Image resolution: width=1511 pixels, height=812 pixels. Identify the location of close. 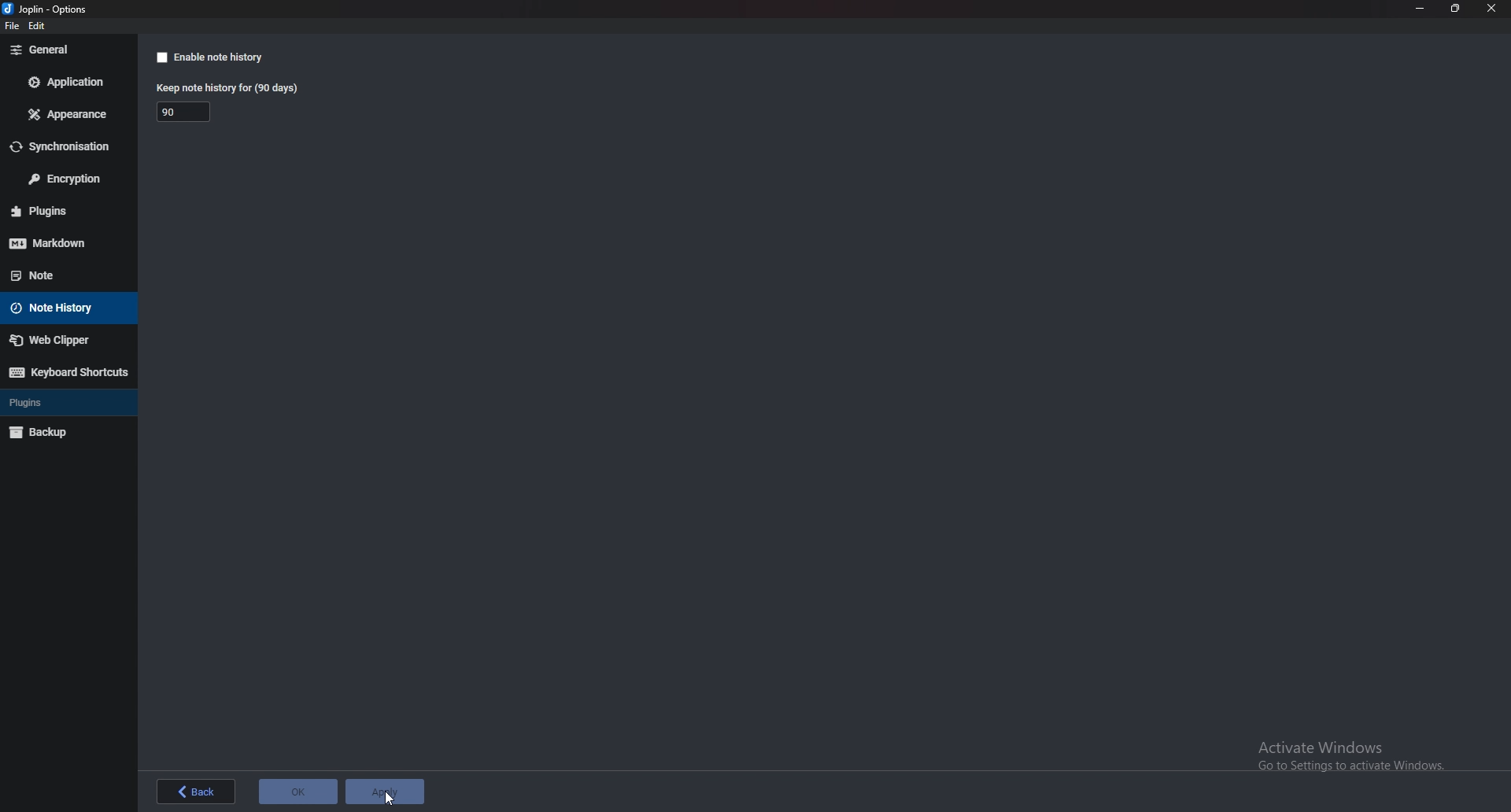
(1489, 9).